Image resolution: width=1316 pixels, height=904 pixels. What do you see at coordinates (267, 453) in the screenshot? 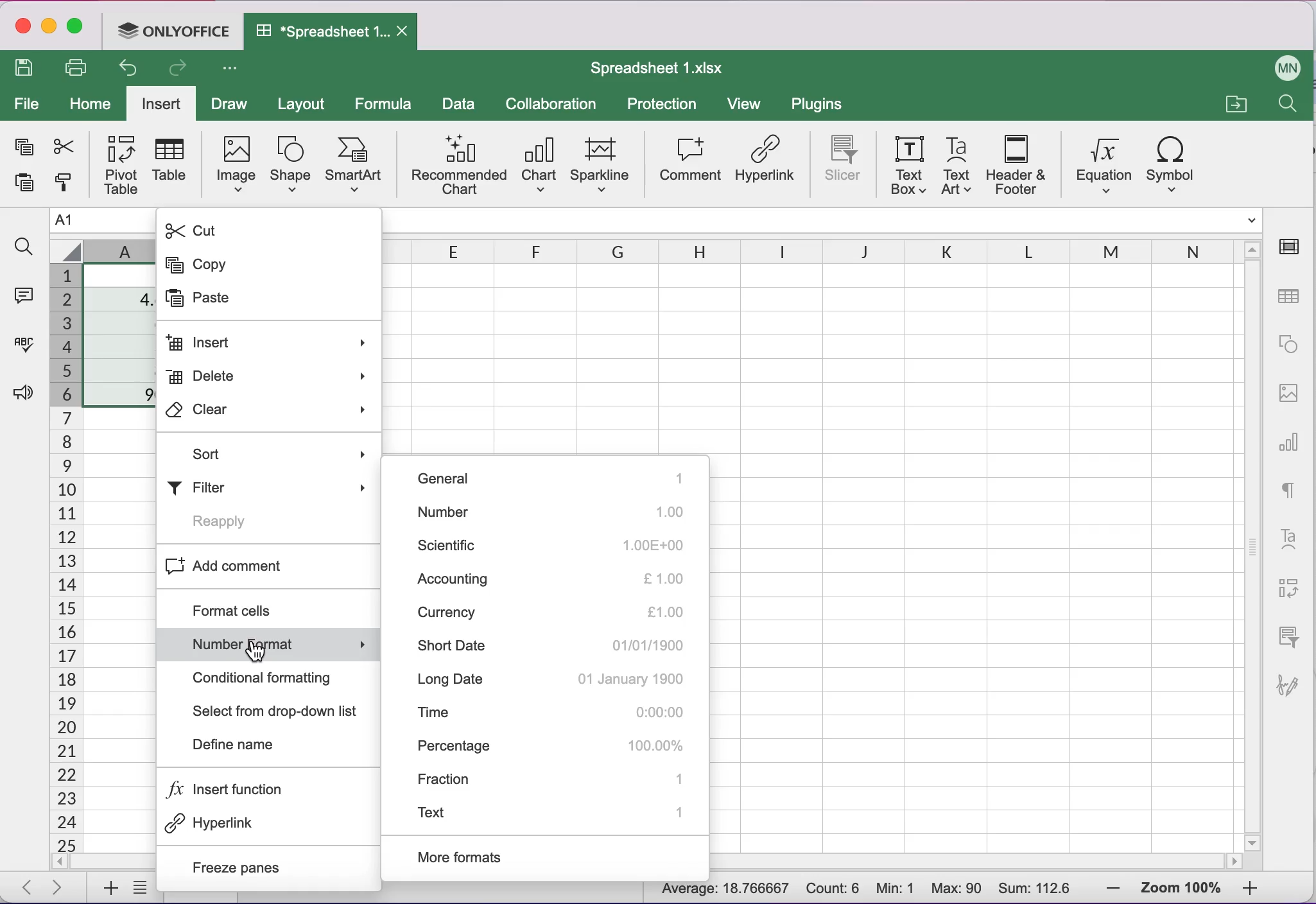
I see `Sort` at bounding box center [267, 453].